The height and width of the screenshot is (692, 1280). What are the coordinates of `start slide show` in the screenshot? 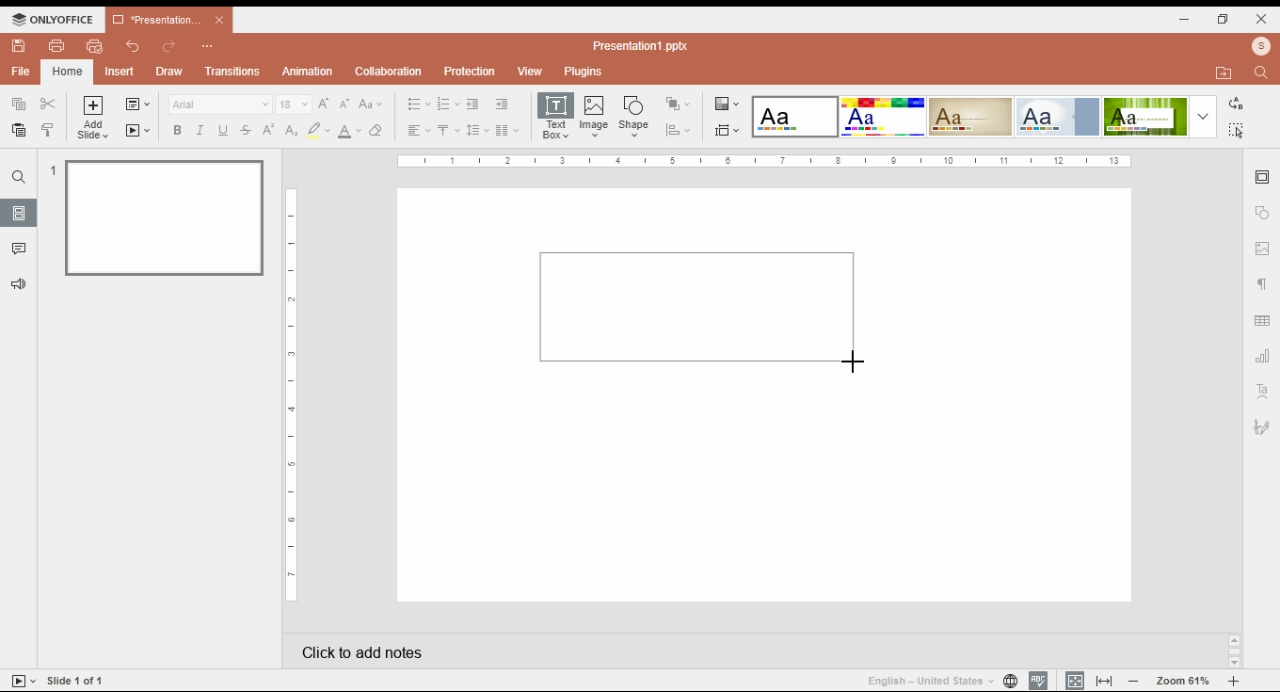 It's located at (138, 131).